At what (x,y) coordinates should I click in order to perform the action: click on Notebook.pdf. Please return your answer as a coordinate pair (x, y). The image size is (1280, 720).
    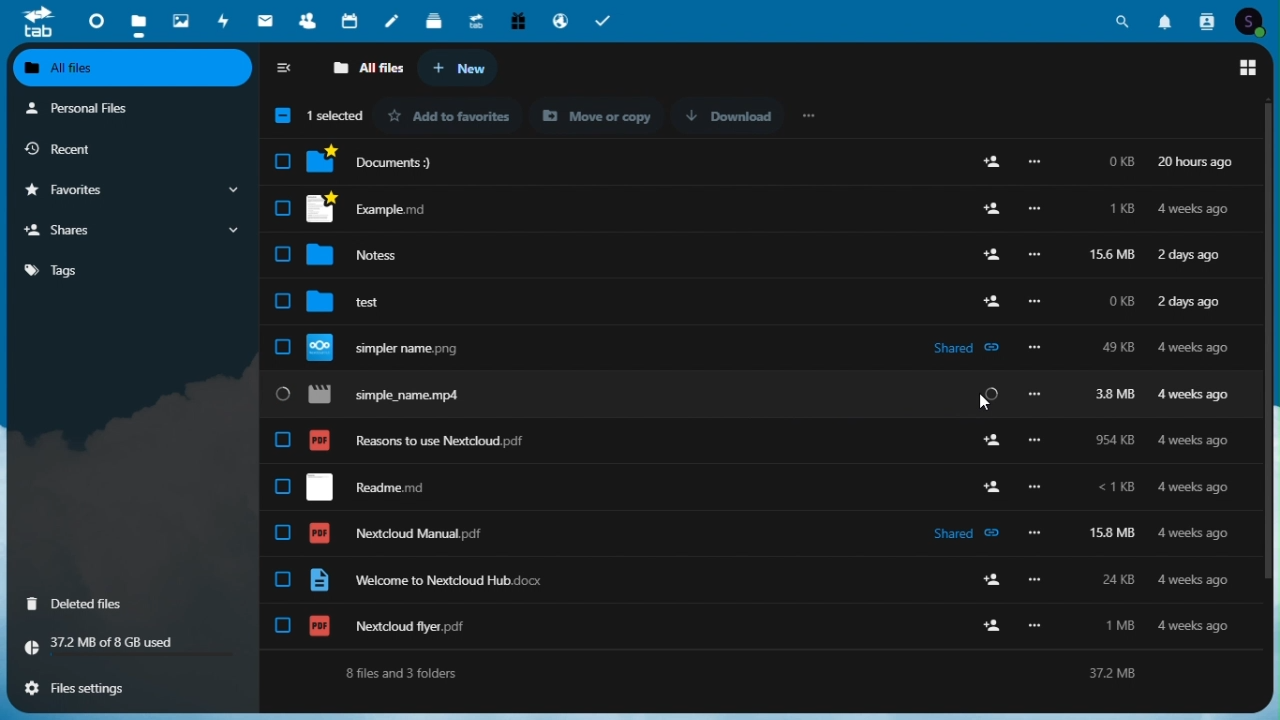
    Looking at the image, I should click on (742, 533).